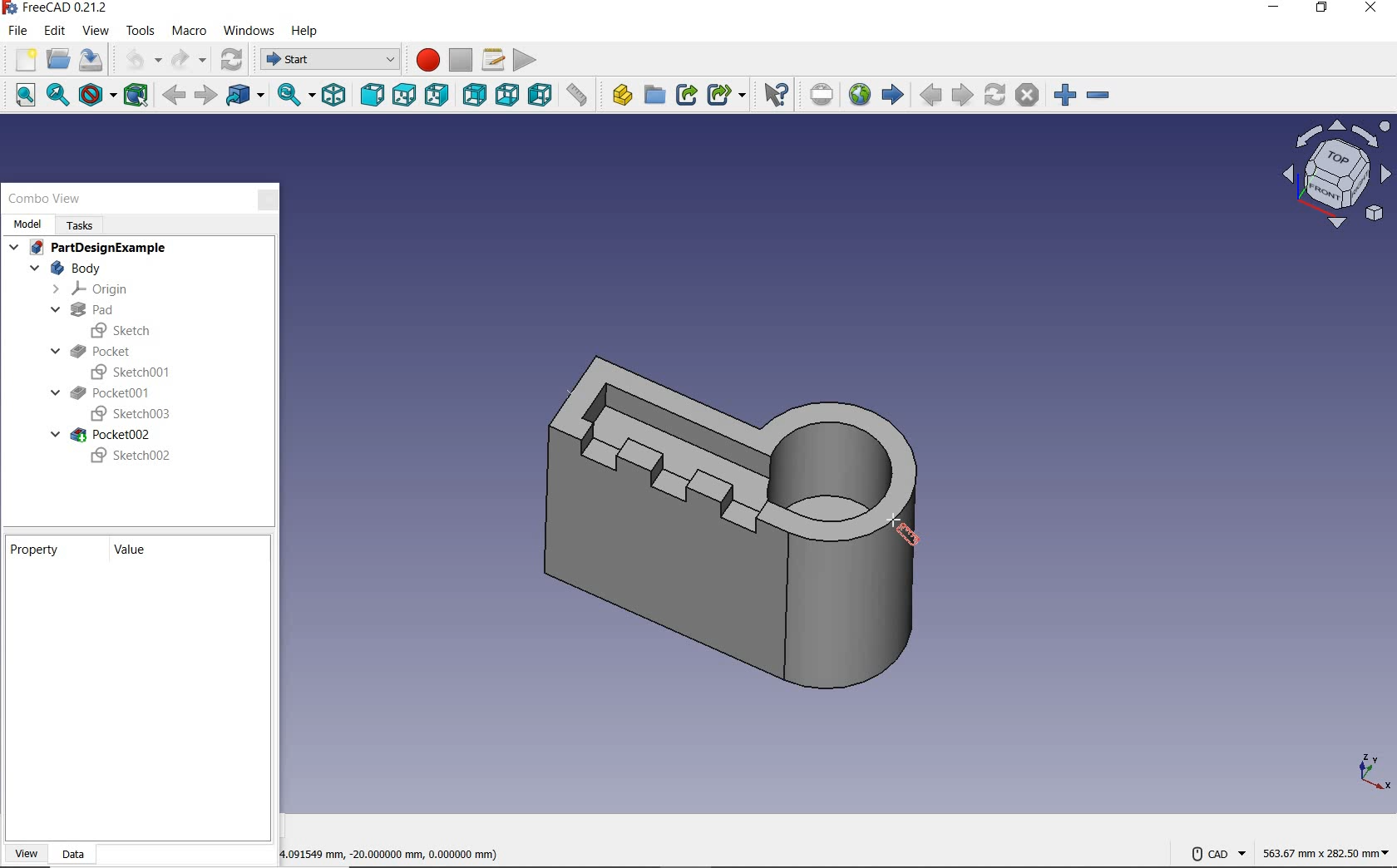  What do you see at coordinates (1065, 96) in the screenshot?
I see `zoom in` at bounding box center [1065, 96].